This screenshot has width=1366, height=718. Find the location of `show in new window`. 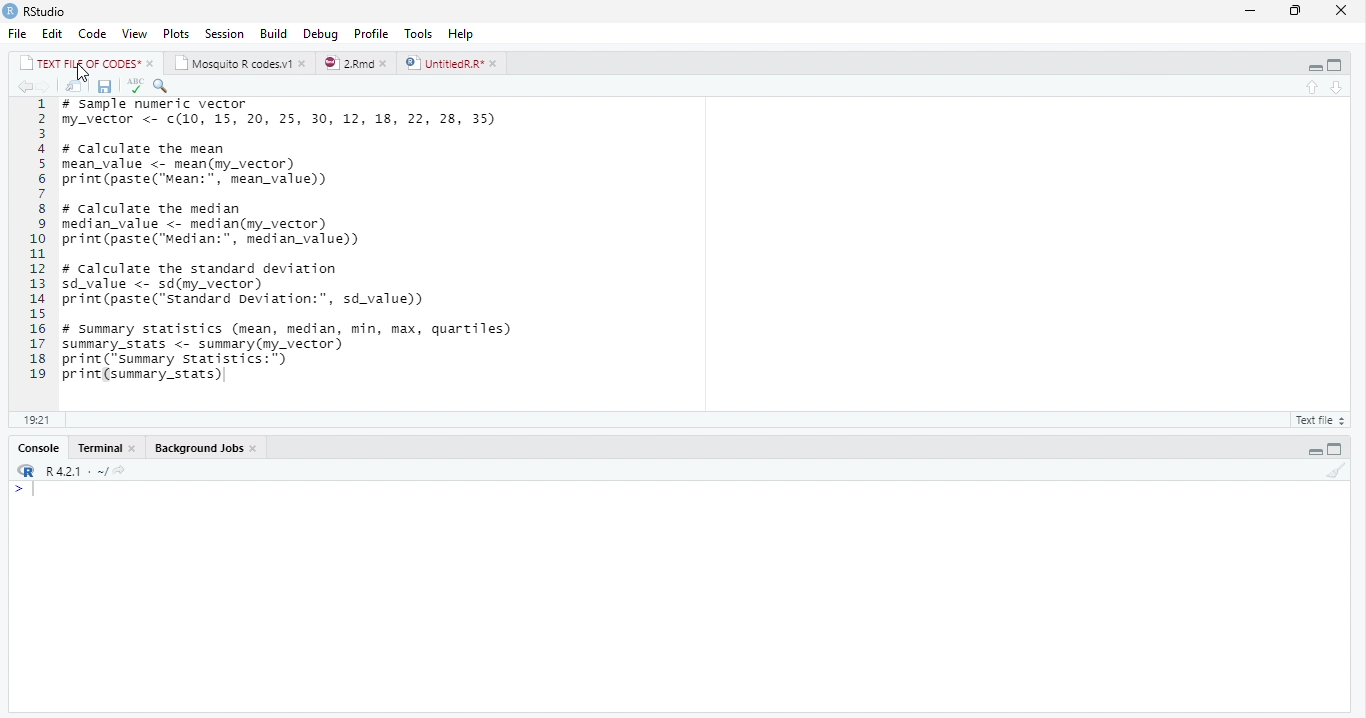

show in new window is located at coordinates (76, 88).